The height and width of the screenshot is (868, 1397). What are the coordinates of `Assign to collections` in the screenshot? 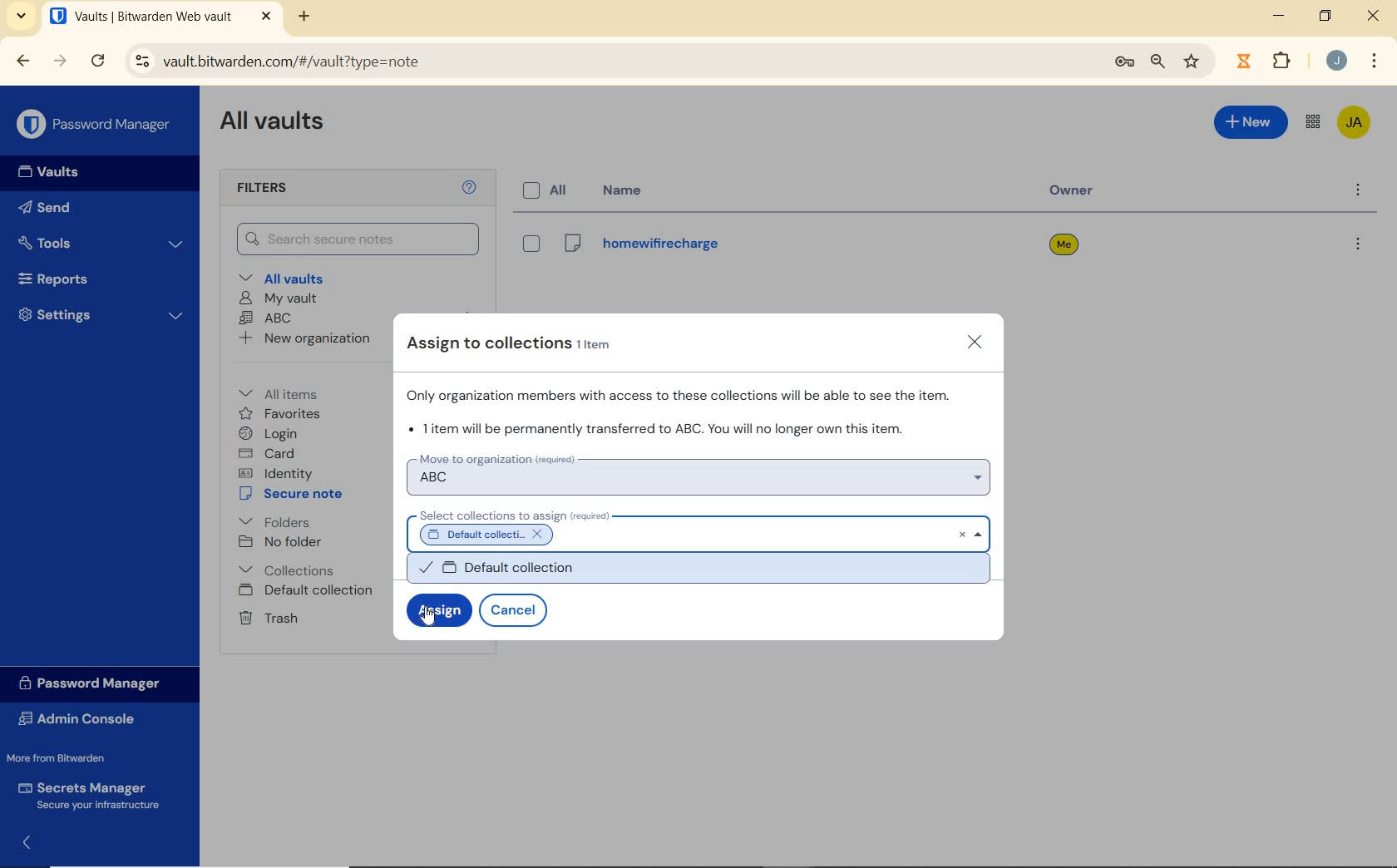 It's located at (520, 343).